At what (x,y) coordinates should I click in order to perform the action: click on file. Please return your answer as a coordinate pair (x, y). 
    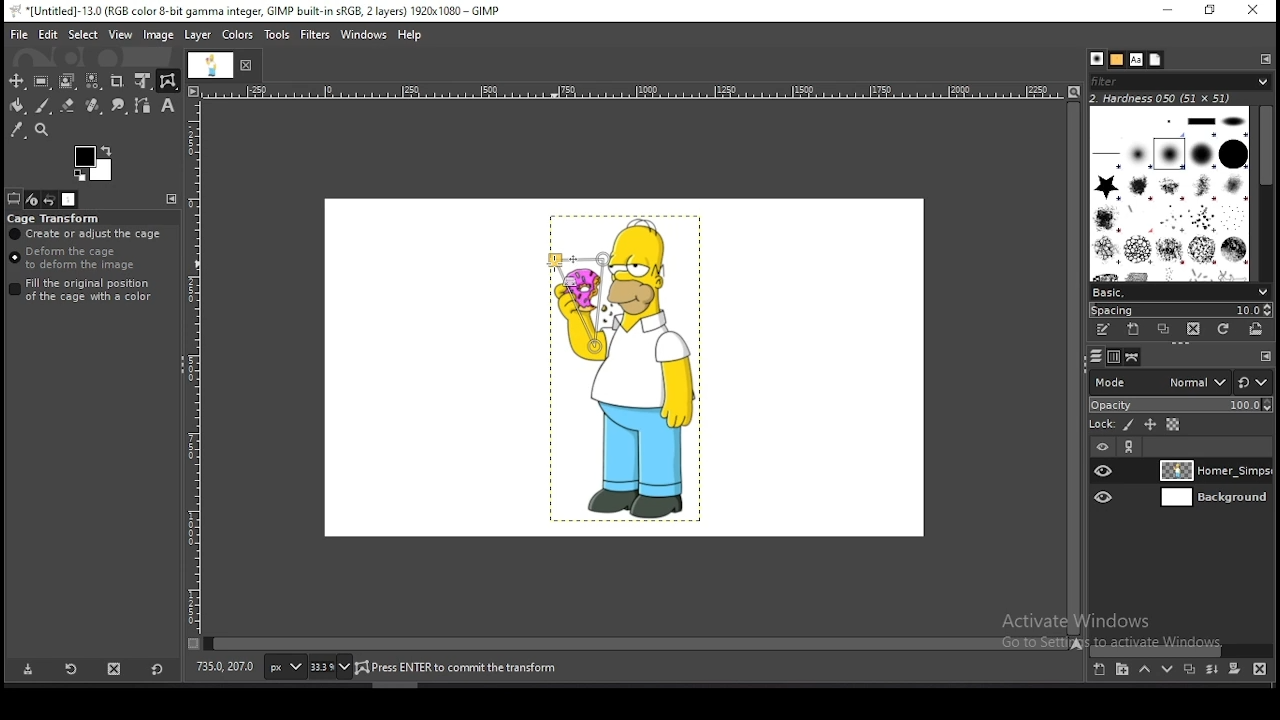
    Looking at the image, I should click on (19, 33).